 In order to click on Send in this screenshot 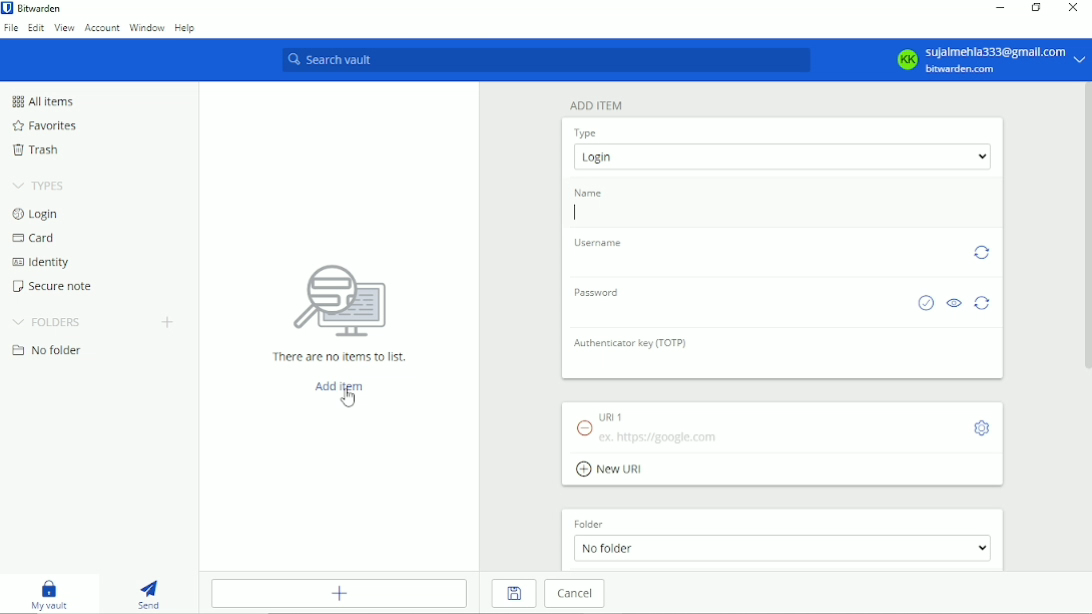, I will do `click(148, 594)`.